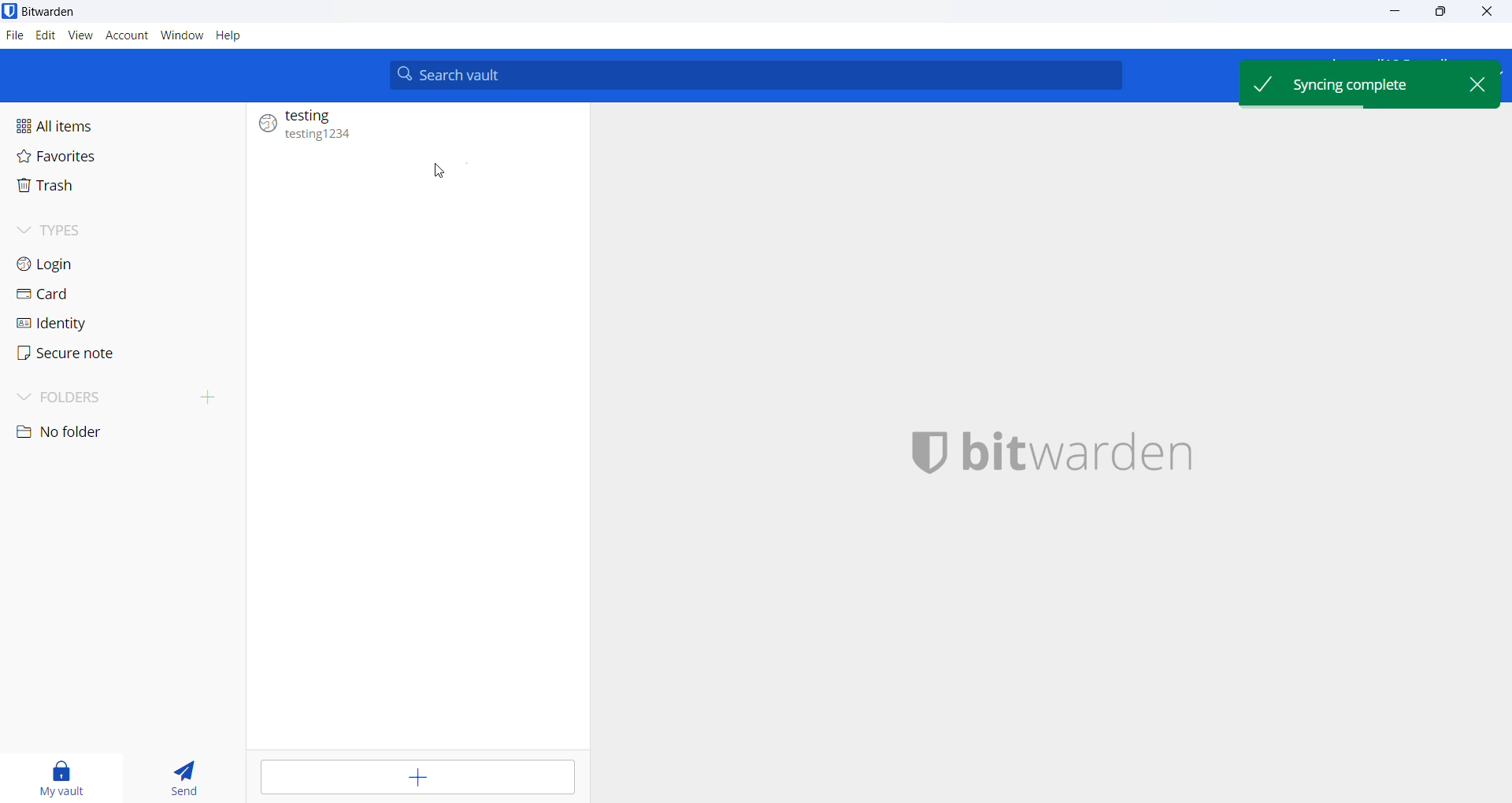  I want to click on add, so click(415, 778).